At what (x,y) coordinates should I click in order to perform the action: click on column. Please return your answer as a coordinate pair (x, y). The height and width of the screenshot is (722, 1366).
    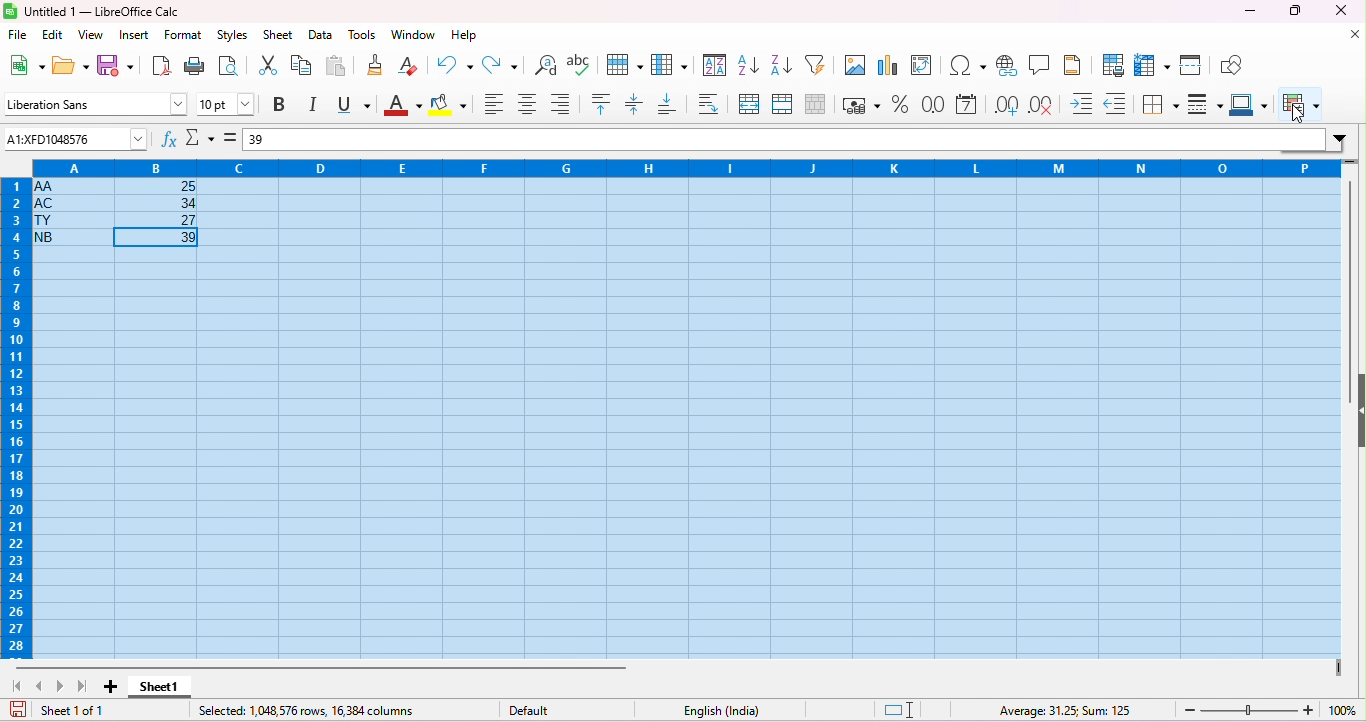
    Looking at the image, I should click on (669, 64).